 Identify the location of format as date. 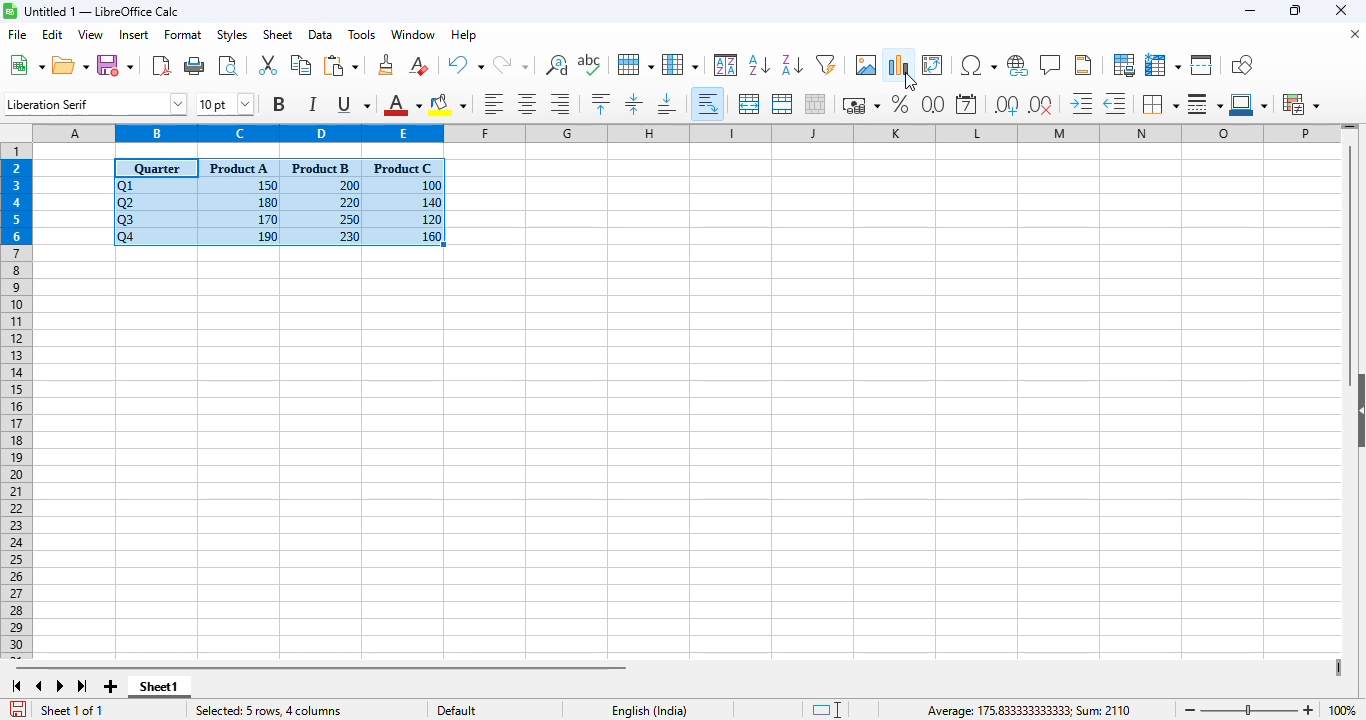
(966, 104).